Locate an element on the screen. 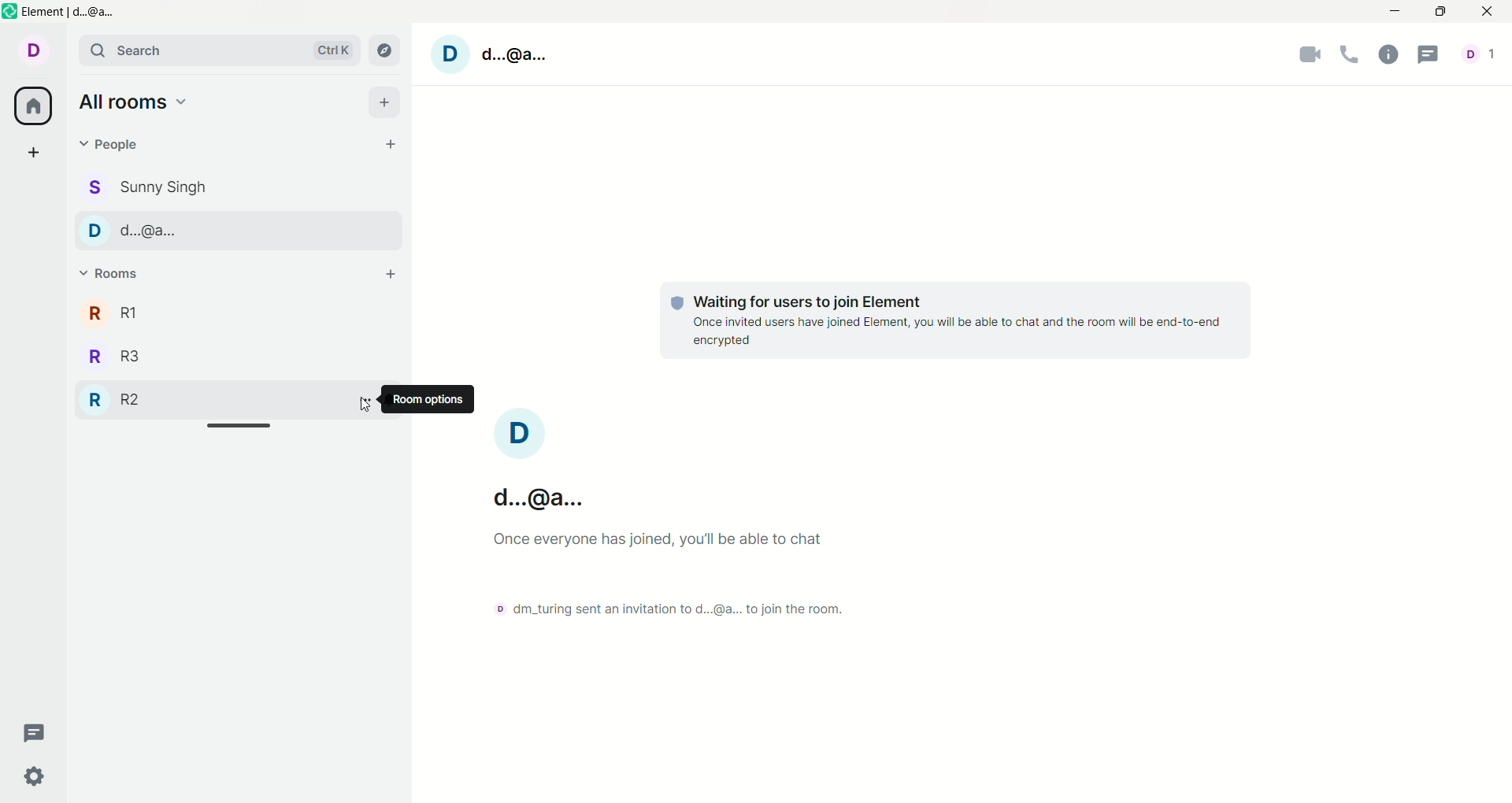 The height and width of the screenshot is (803, 1512). d...@a... chat is located at coordinates (224, 230).